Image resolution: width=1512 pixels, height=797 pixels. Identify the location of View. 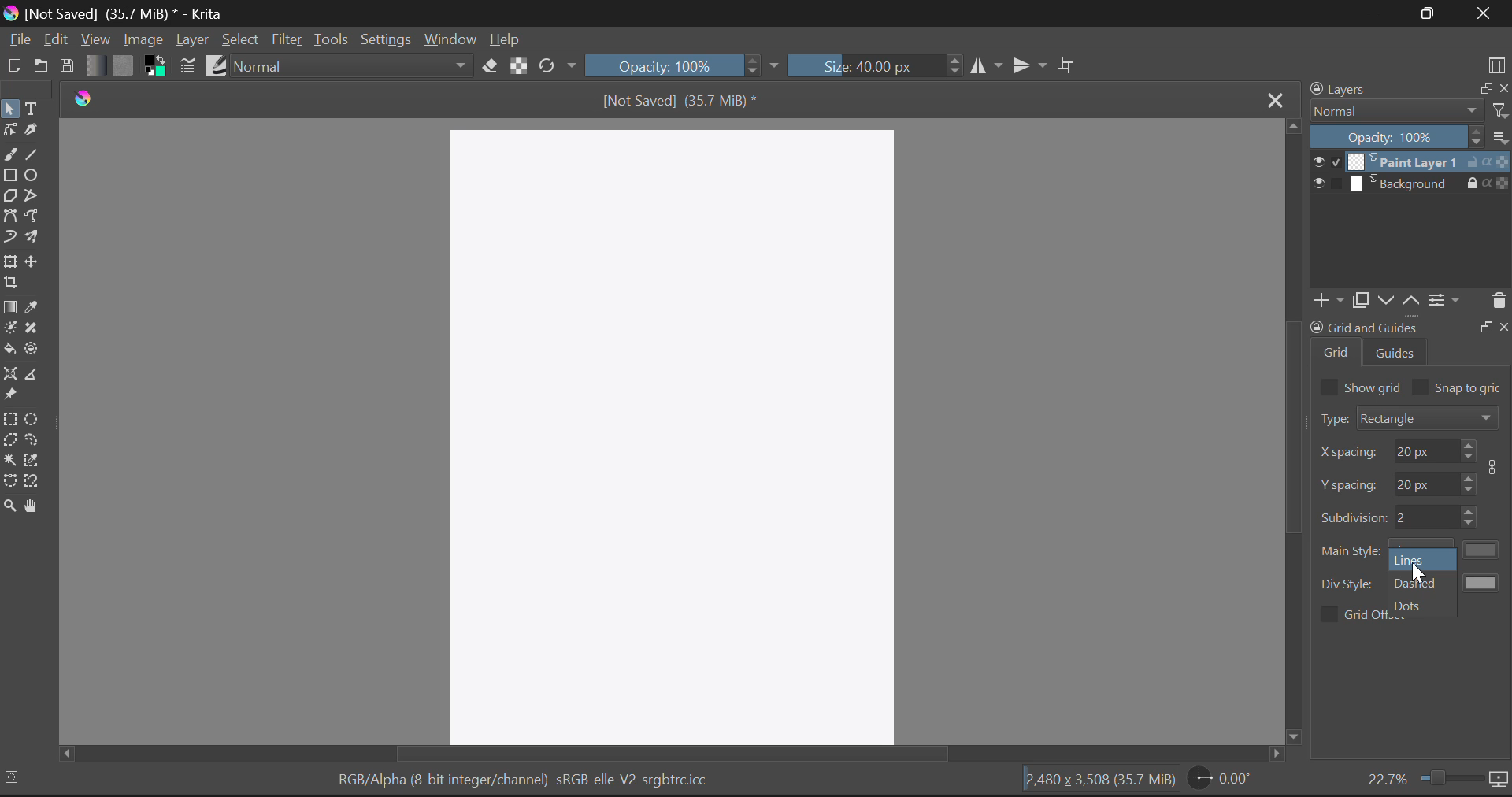
(95, 39).